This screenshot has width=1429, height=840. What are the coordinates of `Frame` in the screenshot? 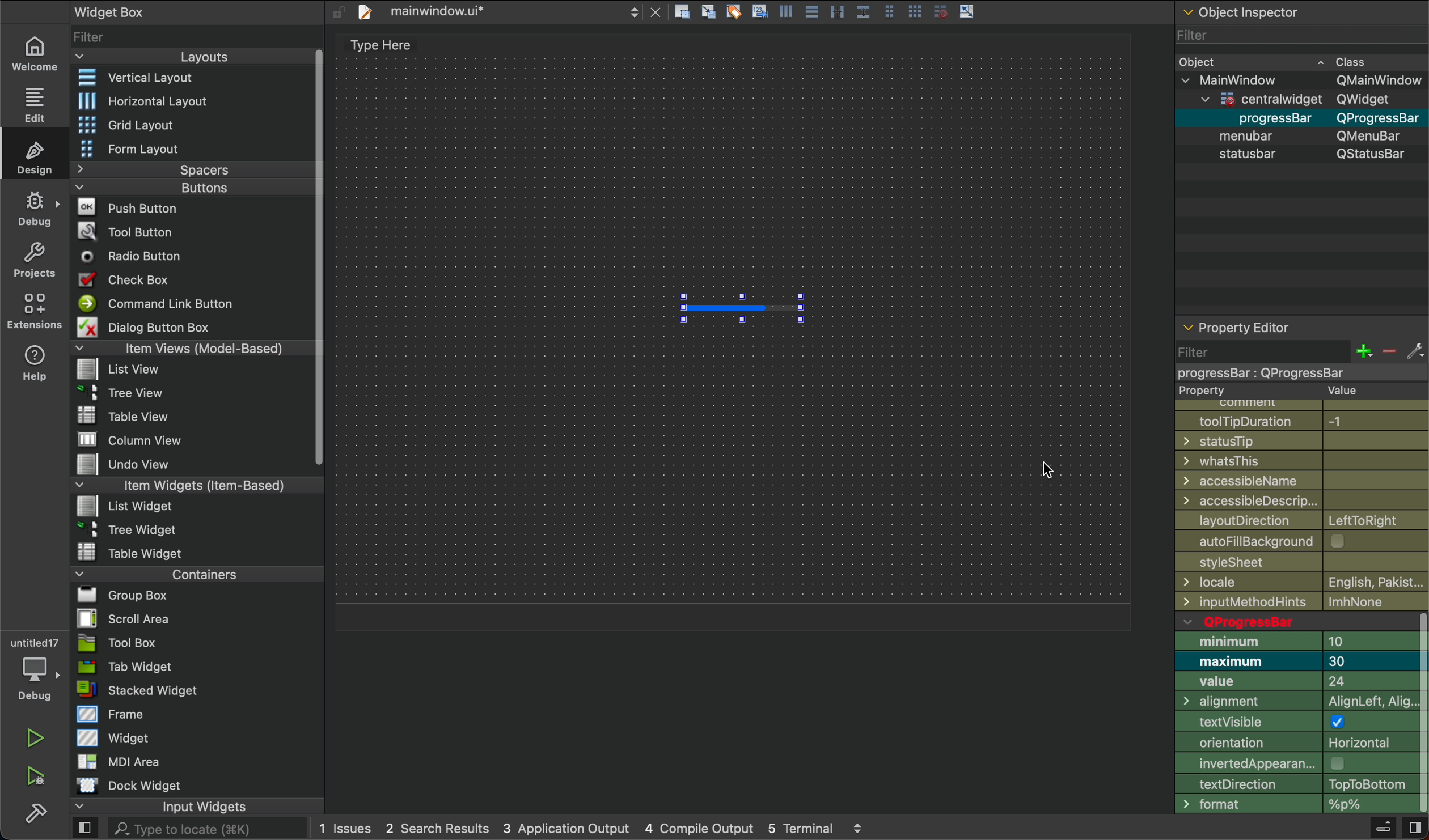 It's located at (112, 714).